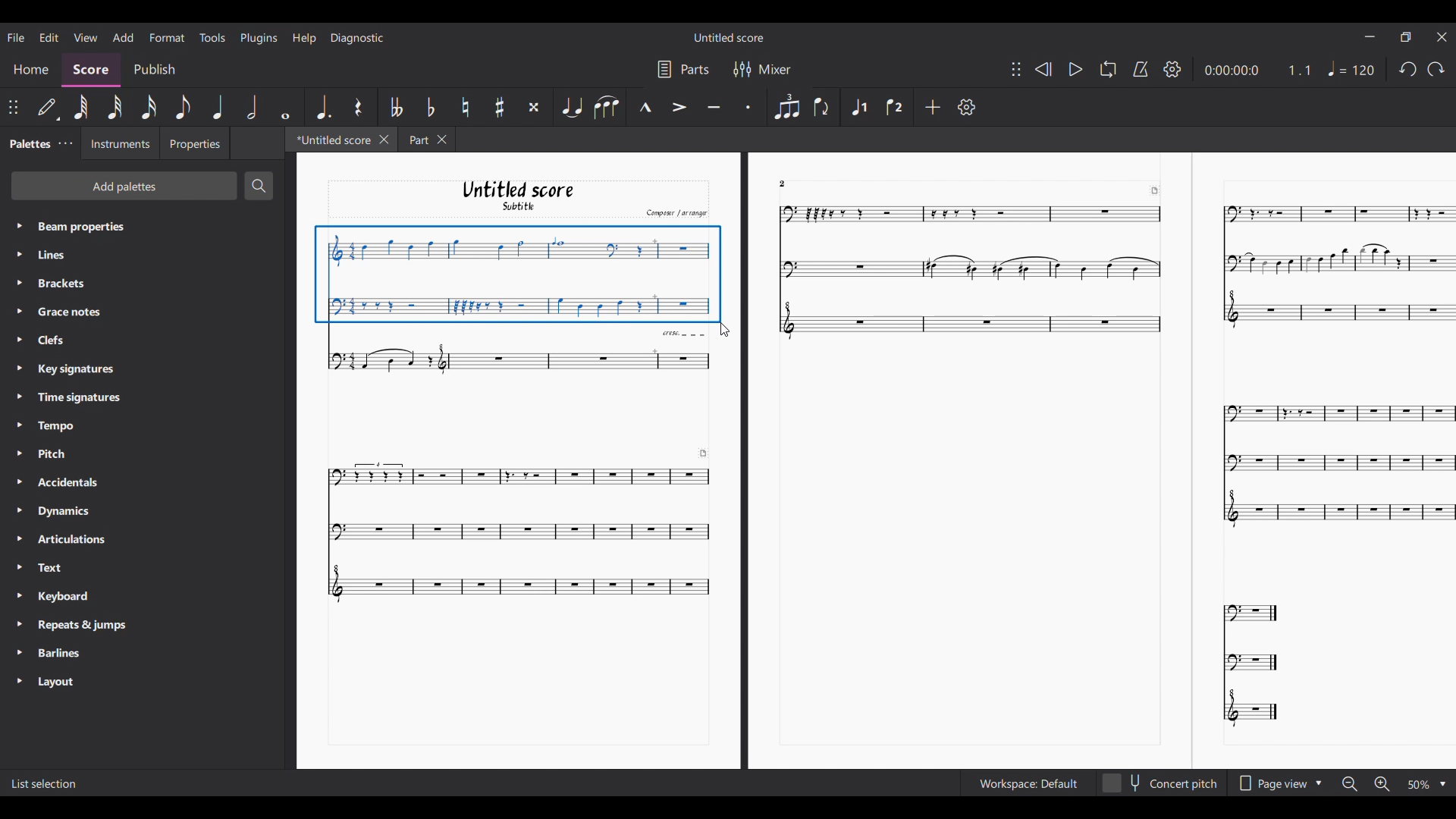 This screenshot has width=1456, height=819. What do you see at coordinates (430, 107) in the screenshot?
I see `Toggle flat` at bounding box center [430, 107].